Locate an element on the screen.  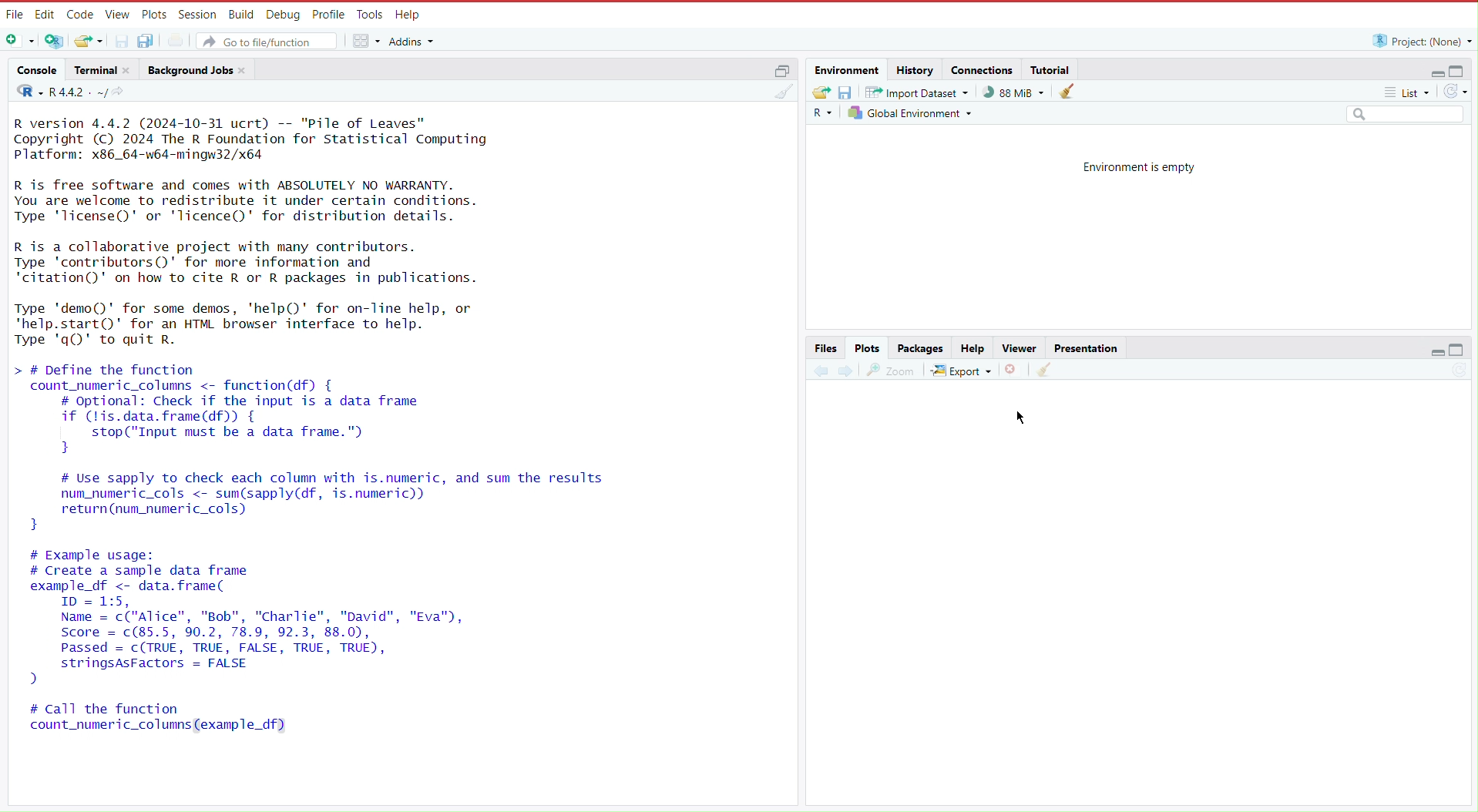
Refresh the list of objects in the environment is located at coordinates (1455, 93).